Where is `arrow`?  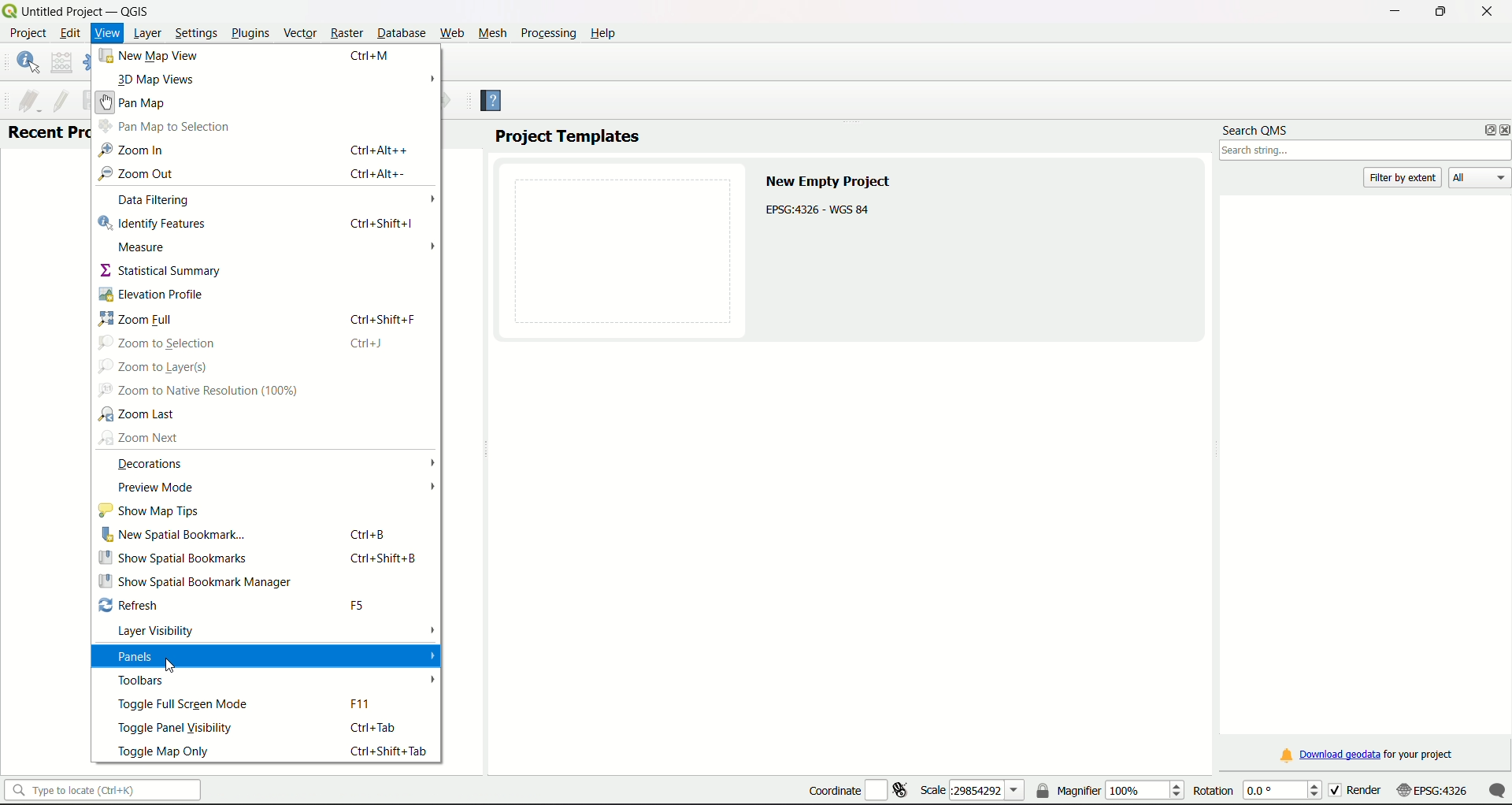 arrow is located at coordinates (428, 630).